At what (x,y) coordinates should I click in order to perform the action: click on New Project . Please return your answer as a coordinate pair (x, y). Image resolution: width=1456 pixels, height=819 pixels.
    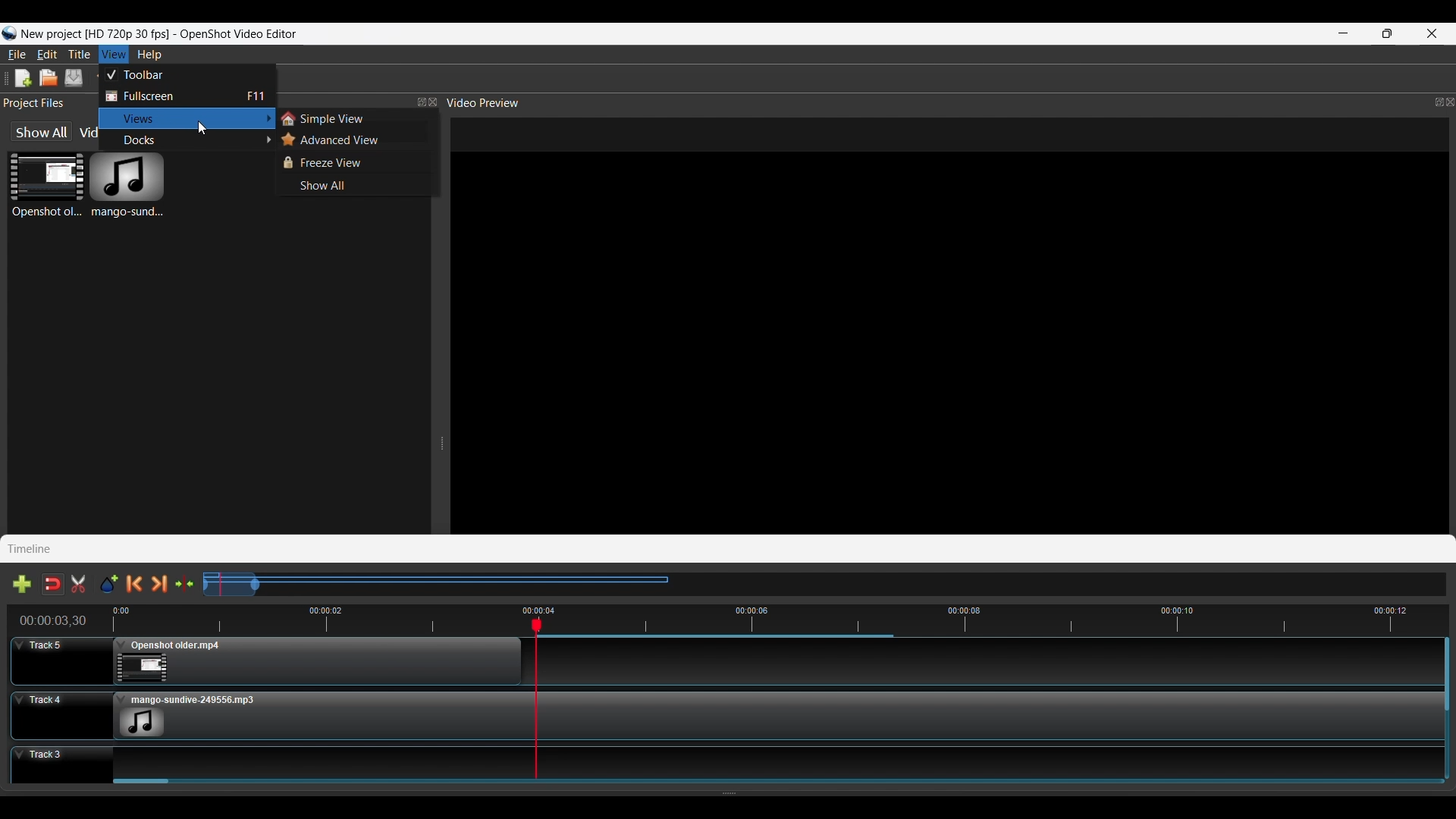
    Looking at the image, I should click on (24, 78).